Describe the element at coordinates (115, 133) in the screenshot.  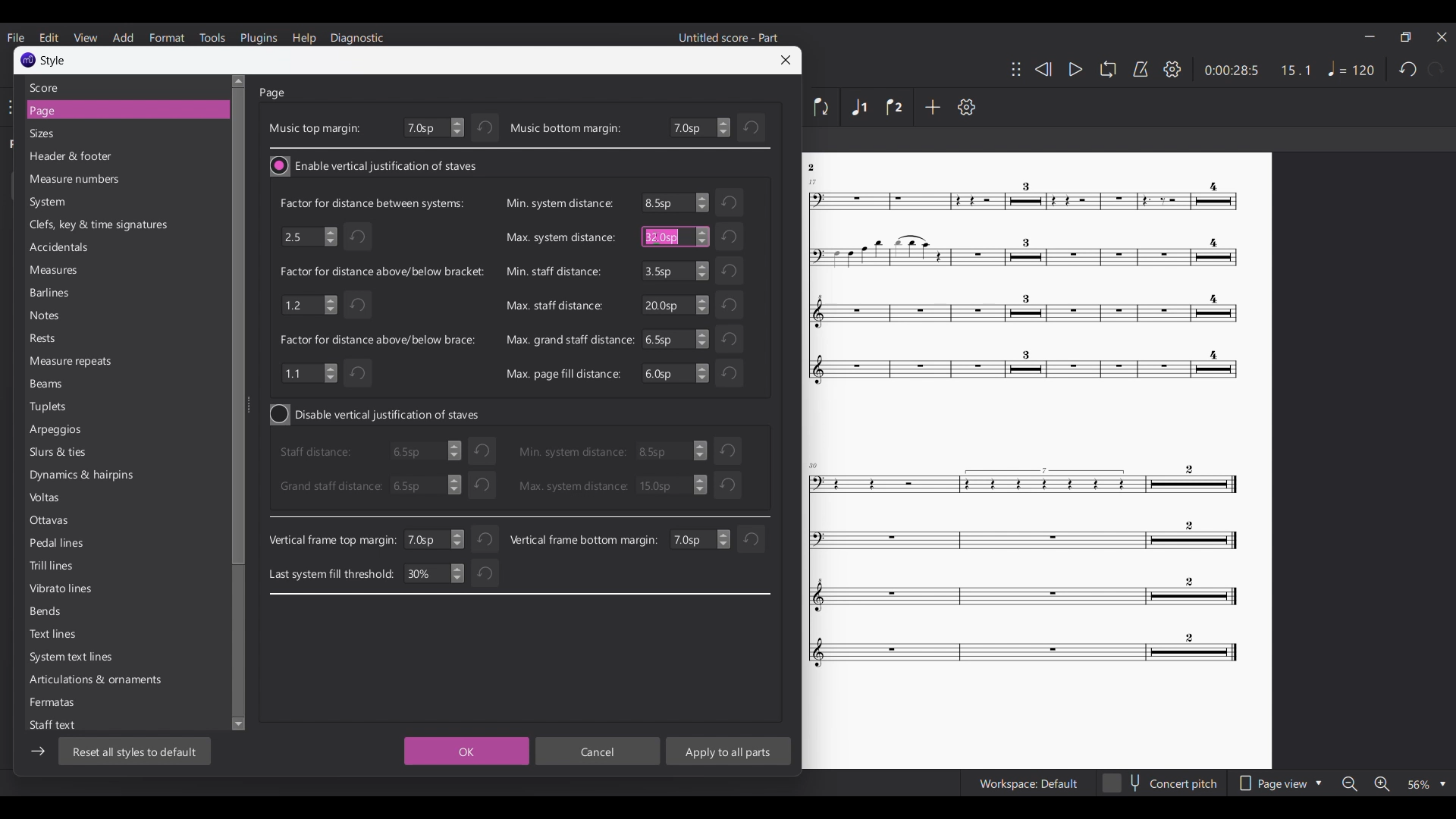
I see `Sizes` at that location.